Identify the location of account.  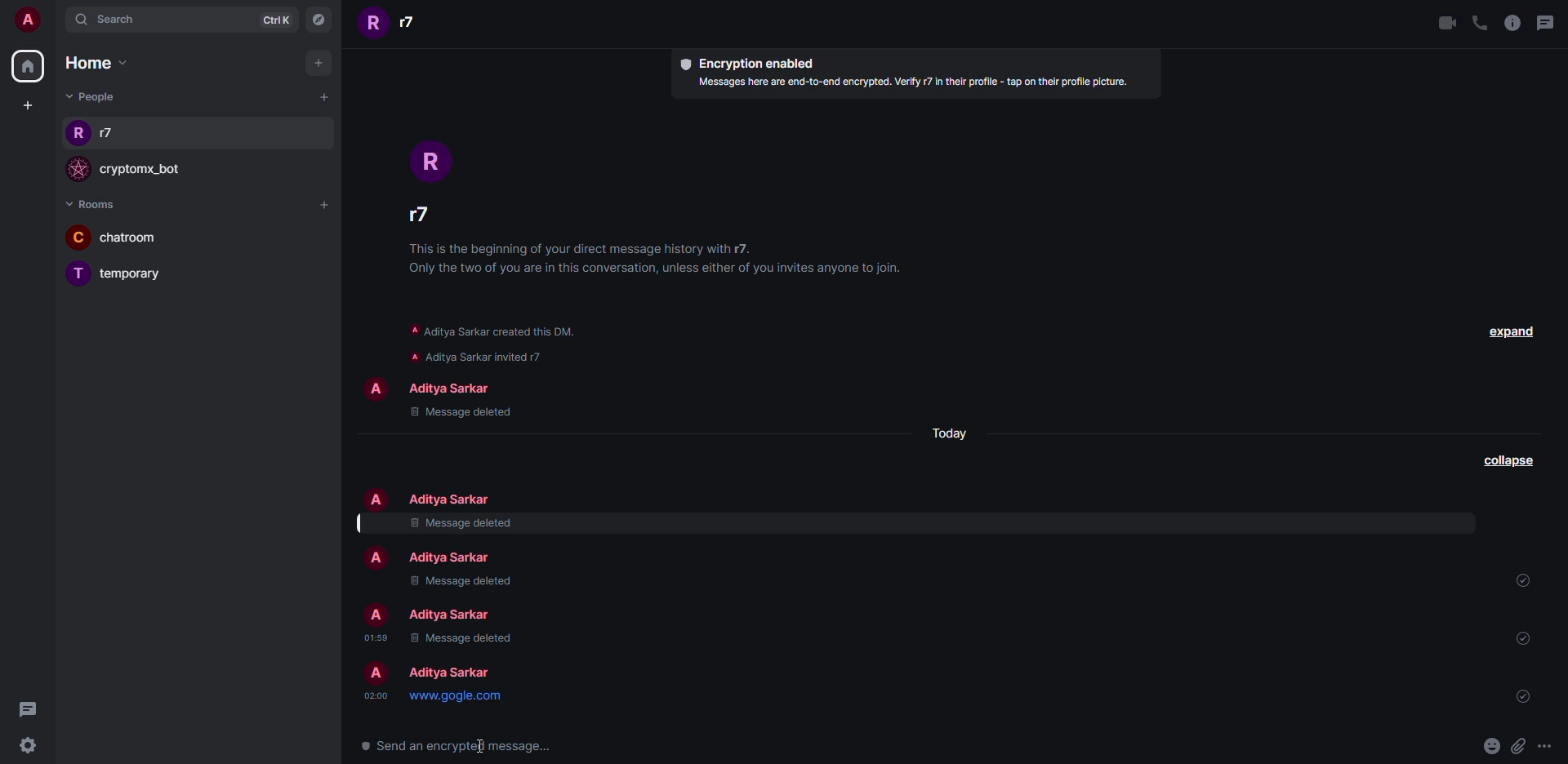
(32, 22).